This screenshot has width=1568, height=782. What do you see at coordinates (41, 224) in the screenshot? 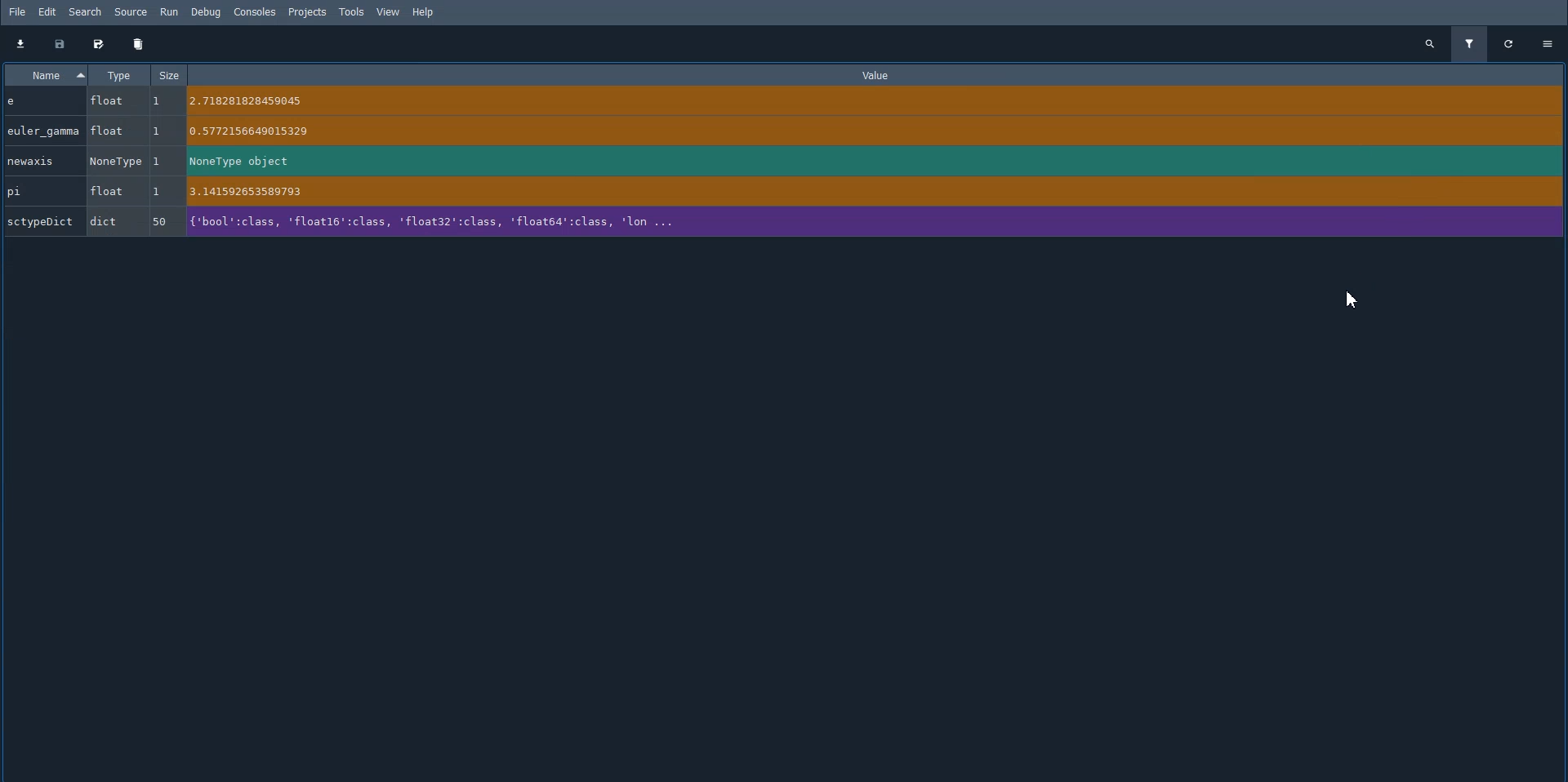
I see `sctypredict` at bounding box center [41, 224].